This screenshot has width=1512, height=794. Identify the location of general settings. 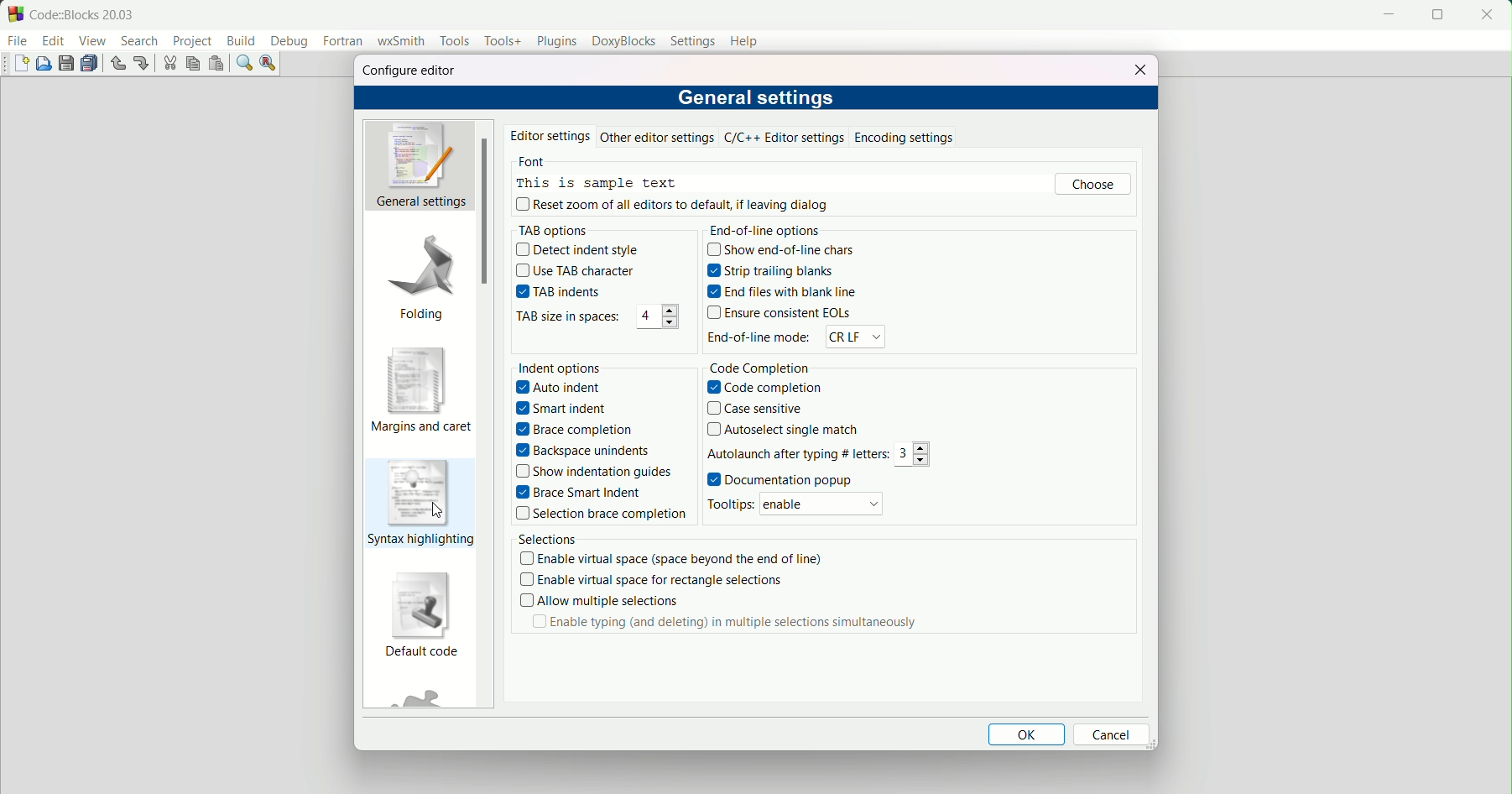
(418, 165).